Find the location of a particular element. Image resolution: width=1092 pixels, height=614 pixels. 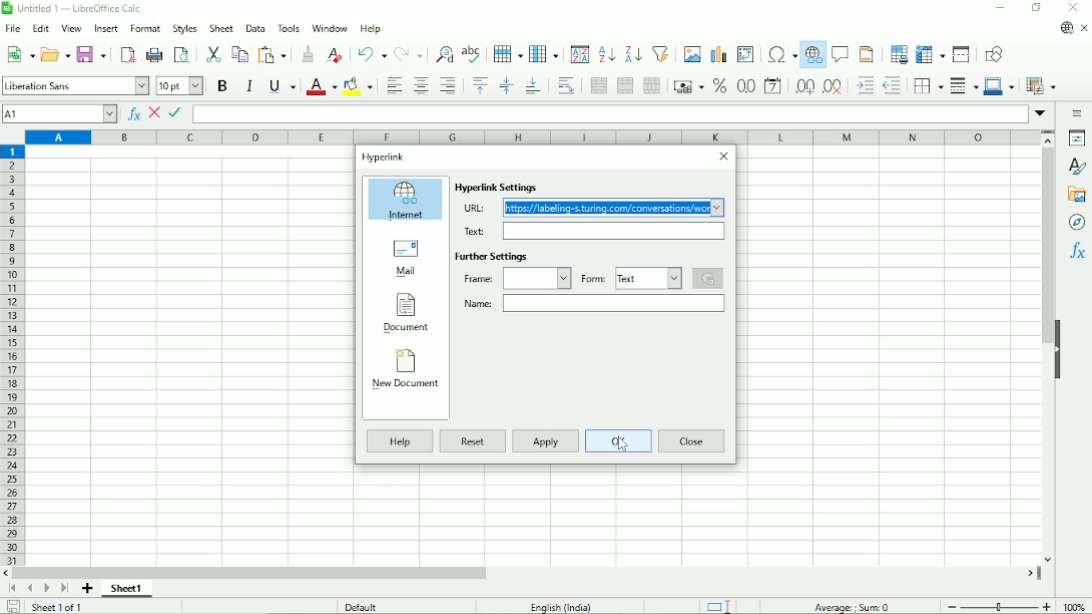

Name is located at coordinates (477, 304).